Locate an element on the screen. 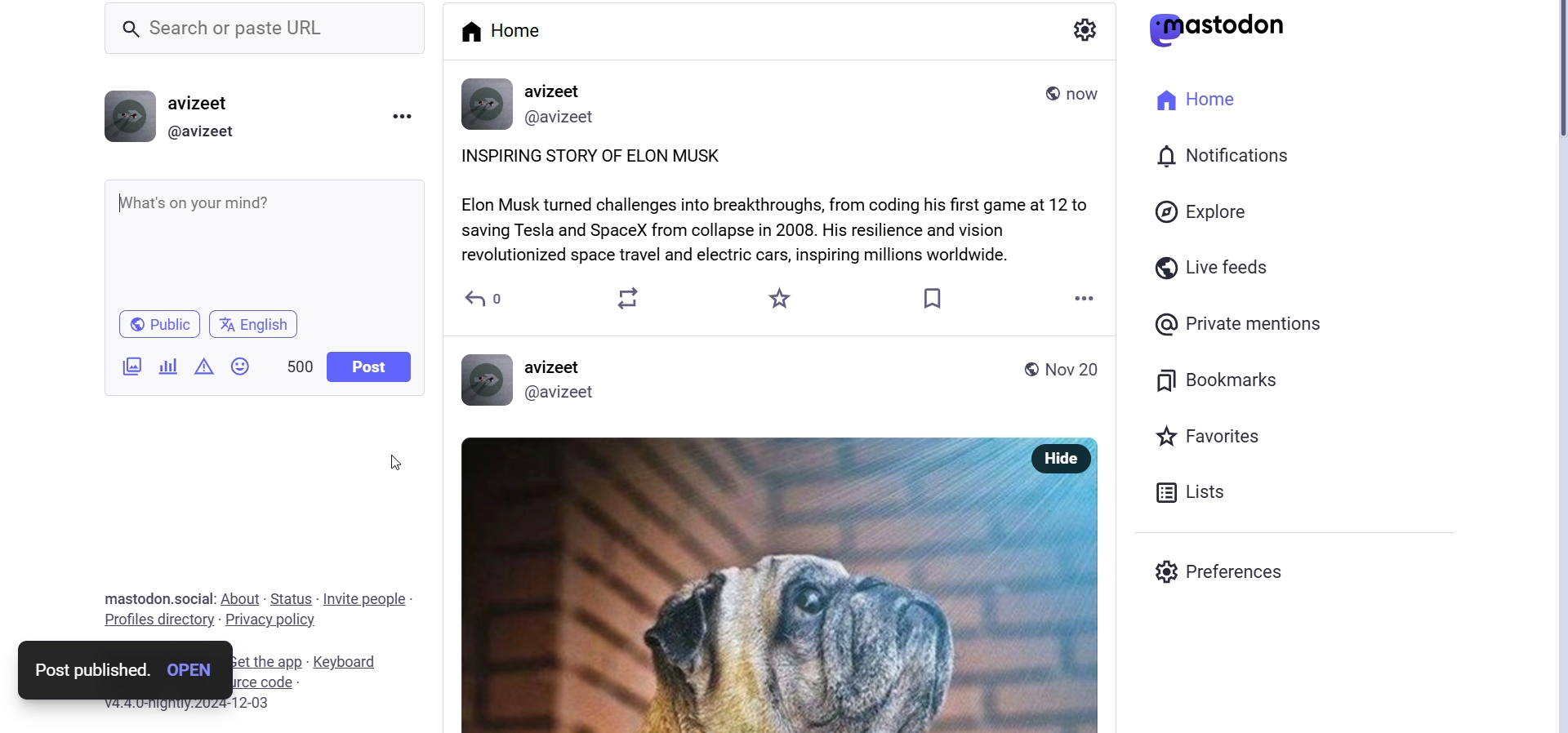 Image resolution: width=1568 pixels, height=733 pixels. scroll bar is located at coordinates (1557, 89).